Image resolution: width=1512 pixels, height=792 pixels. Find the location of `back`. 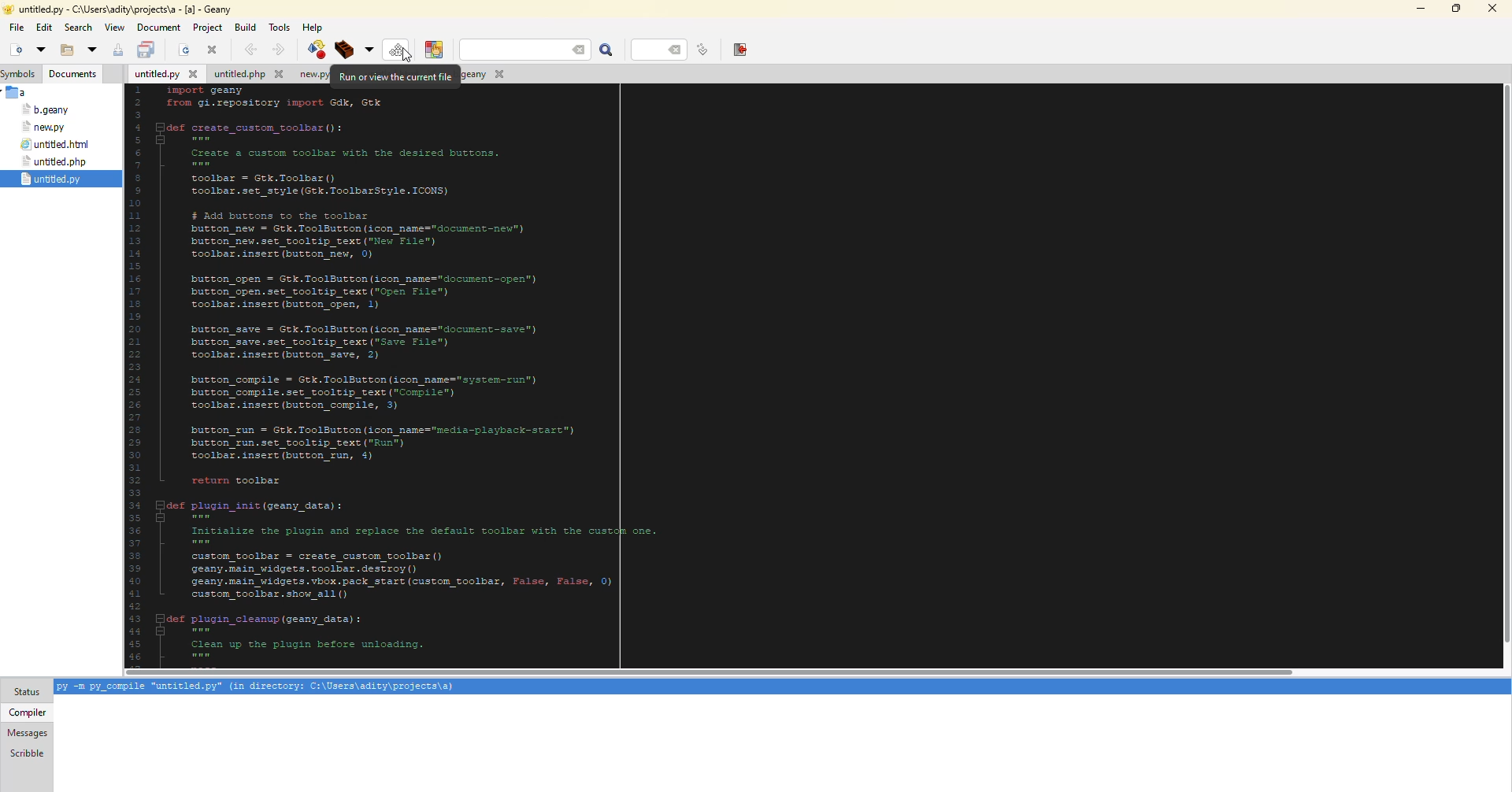

back is located at coordinates (249, 49).